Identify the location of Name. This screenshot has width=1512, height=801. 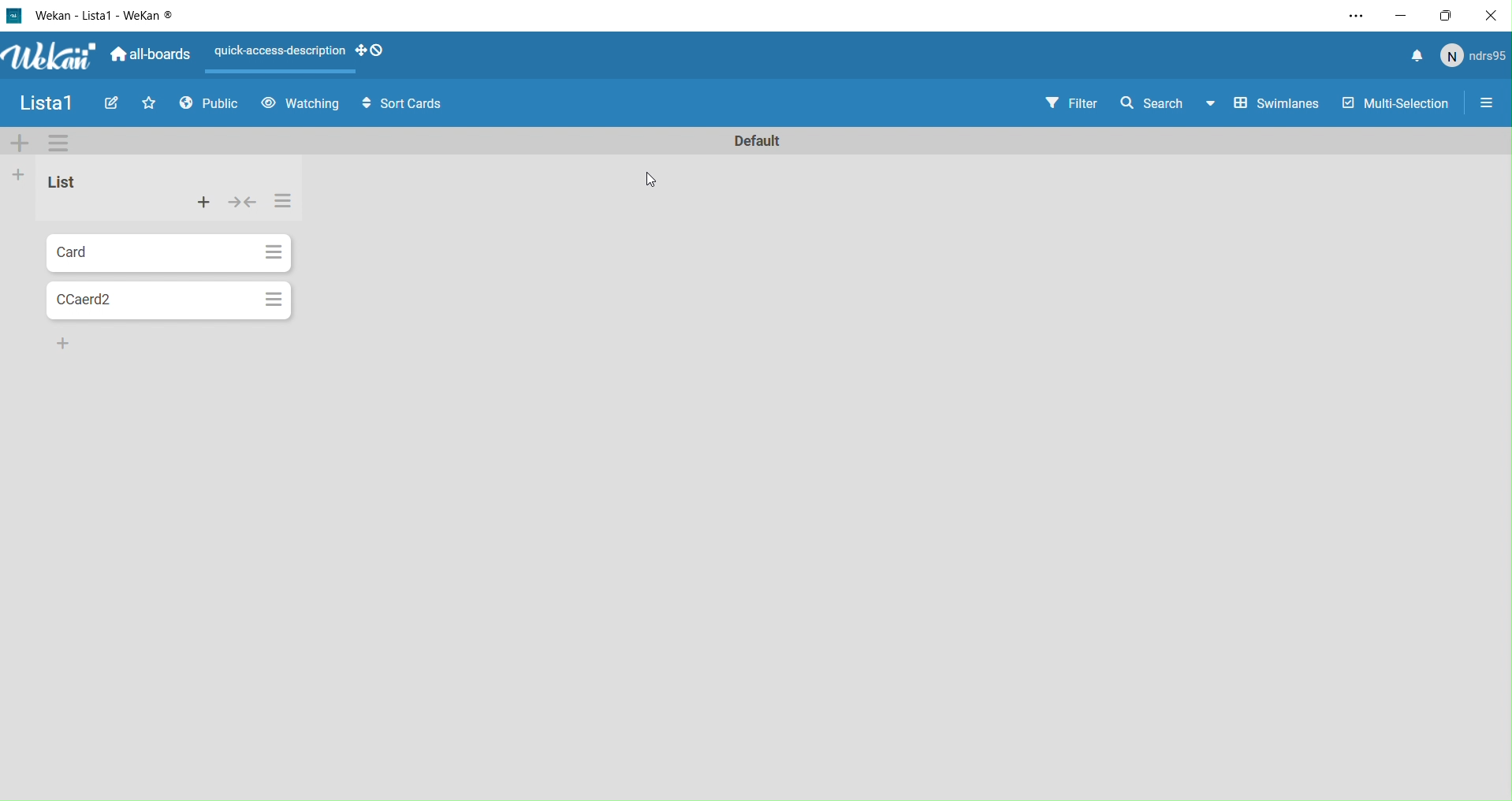
(758, 142).